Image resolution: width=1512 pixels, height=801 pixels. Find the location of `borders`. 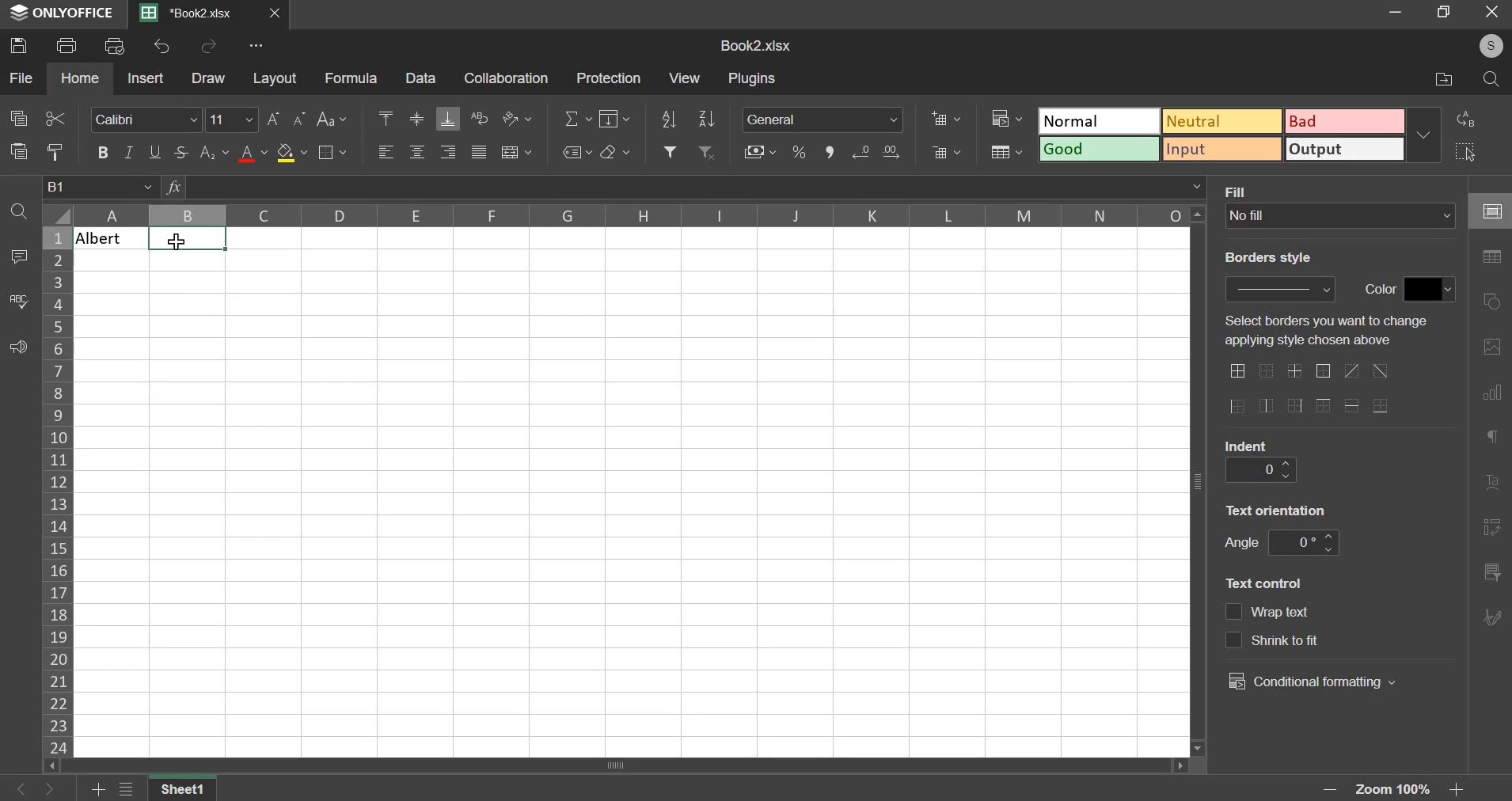

borders is located at coordinates (330, 152).